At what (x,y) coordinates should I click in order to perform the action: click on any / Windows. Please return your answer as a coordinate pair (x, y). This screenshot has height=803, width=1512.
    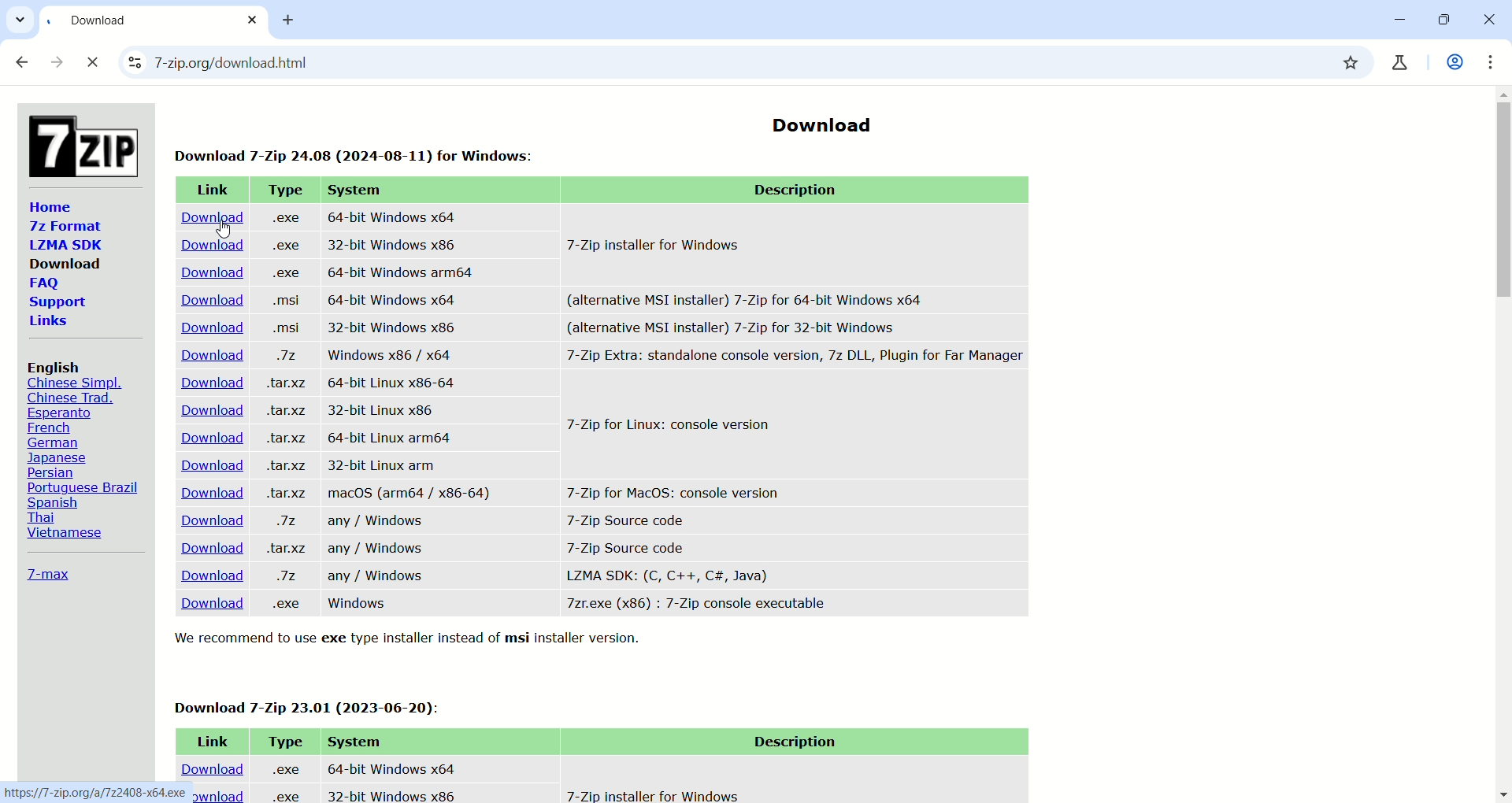
    Looking at the image, I should click on (378, 576).